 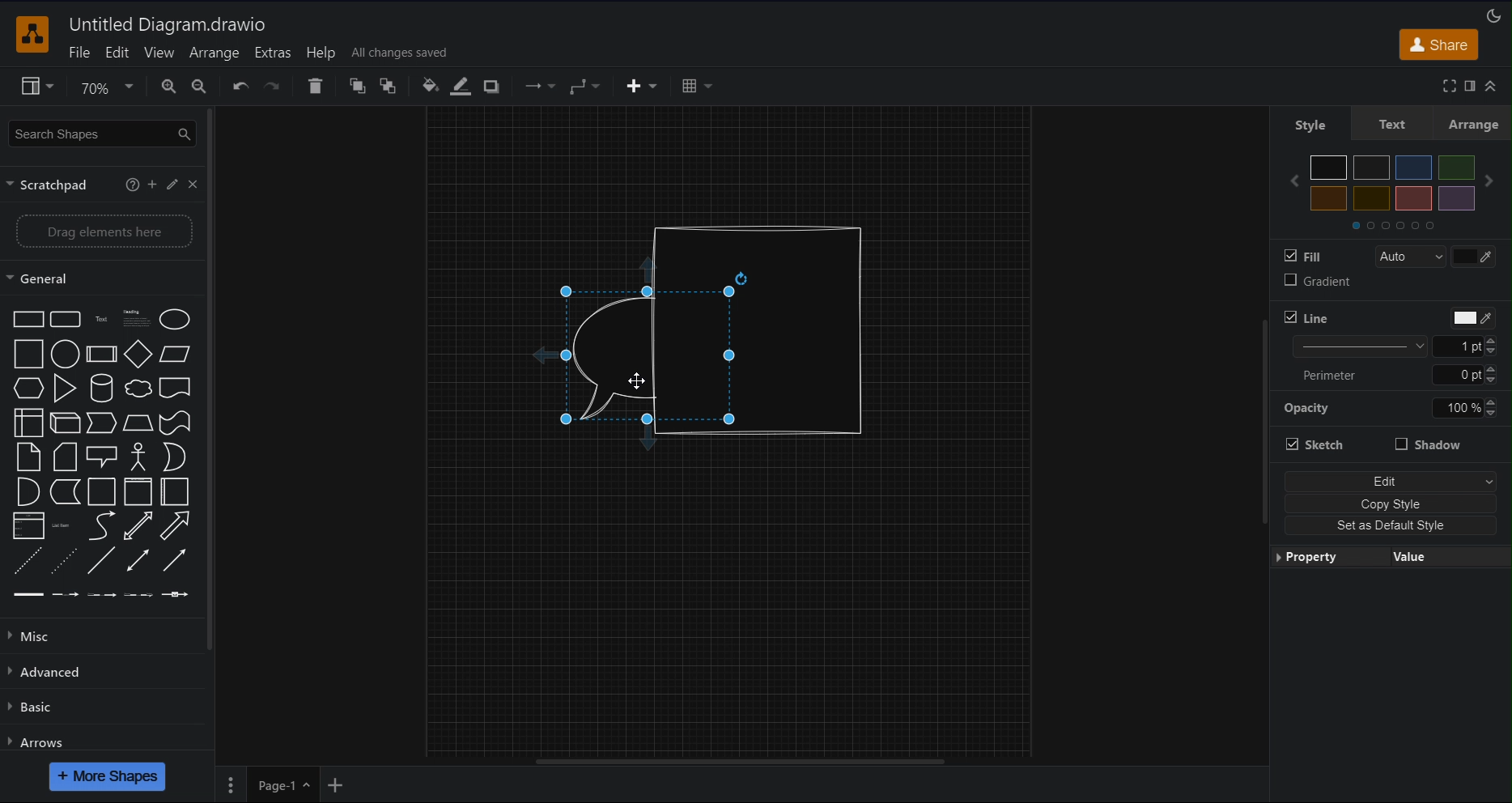 I want to click on Manually input line thickness, so click(x=1458, y=346).